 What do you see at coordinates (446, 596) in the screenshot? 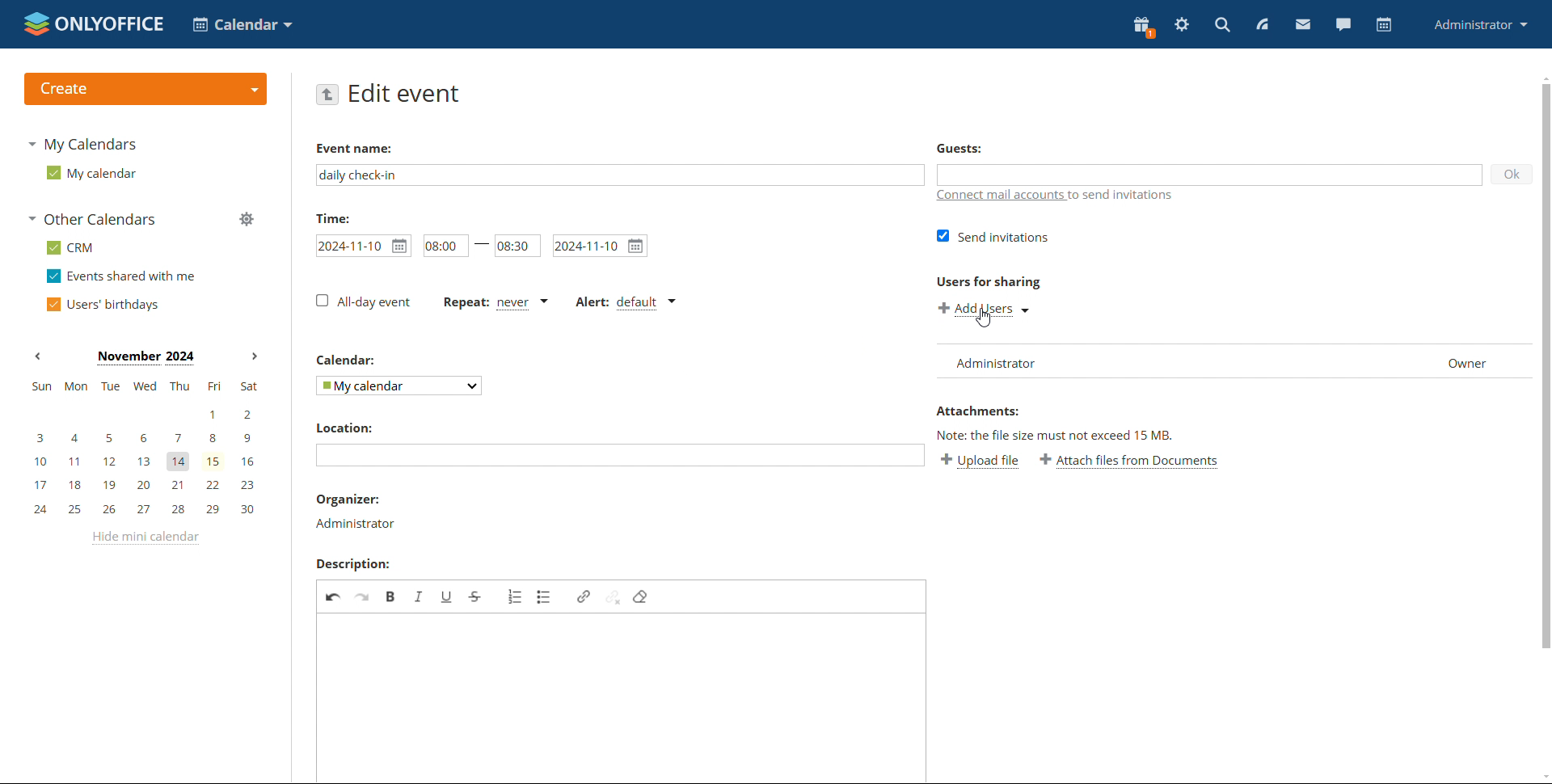
I see `underline` at bounding box center [446, 596].